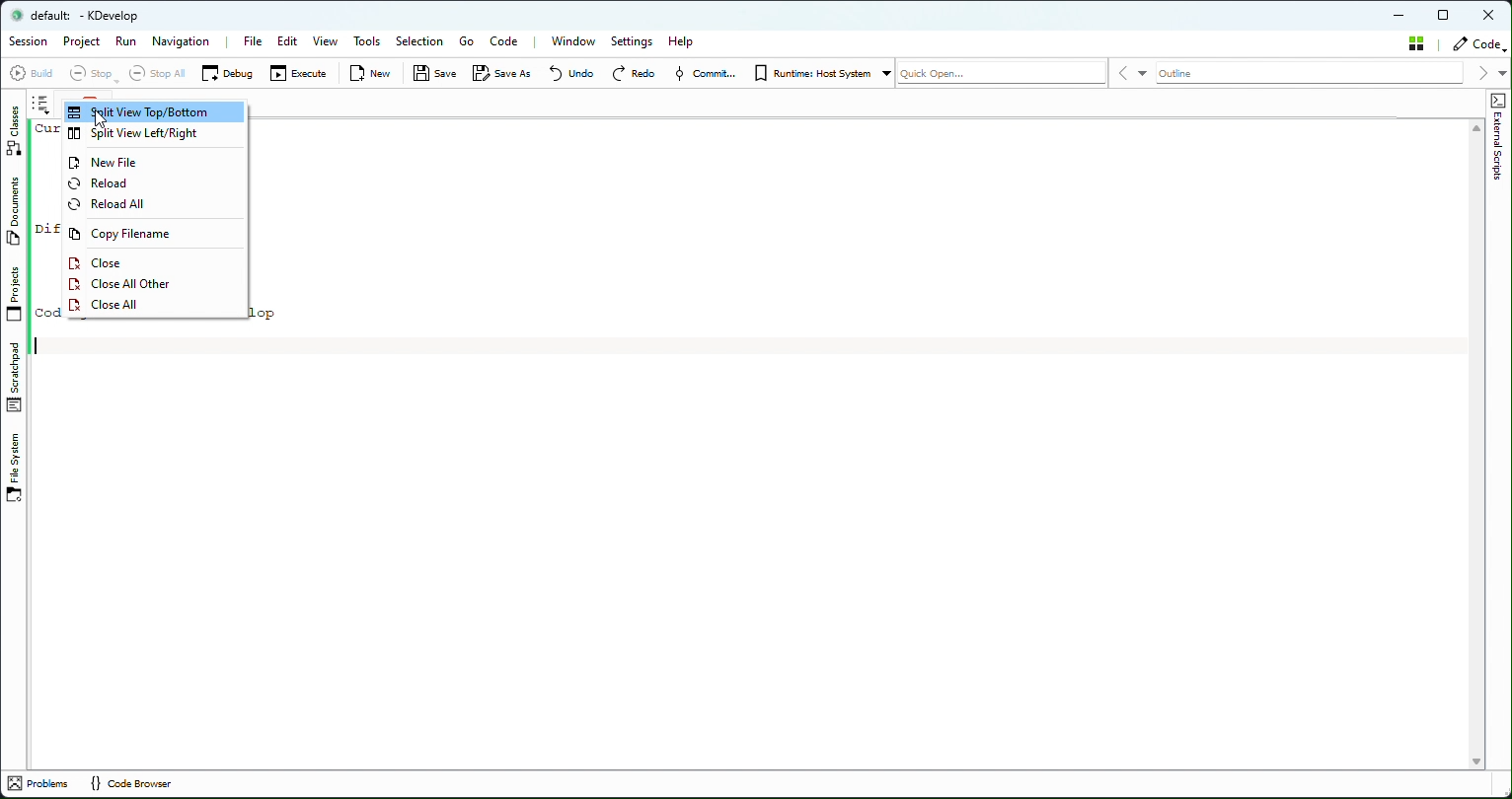  I want to click on Code, so click(1478, 43).